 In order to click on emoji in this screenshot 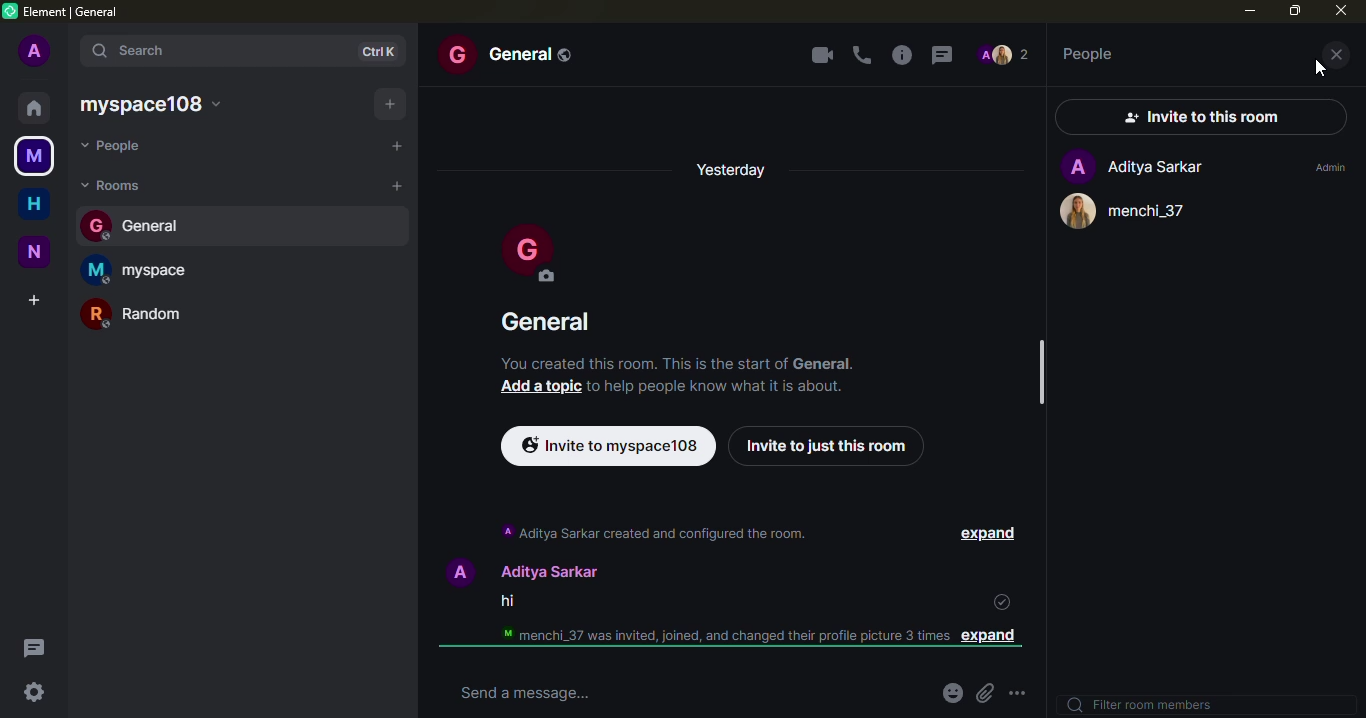, I will do `click(954, 693)`.